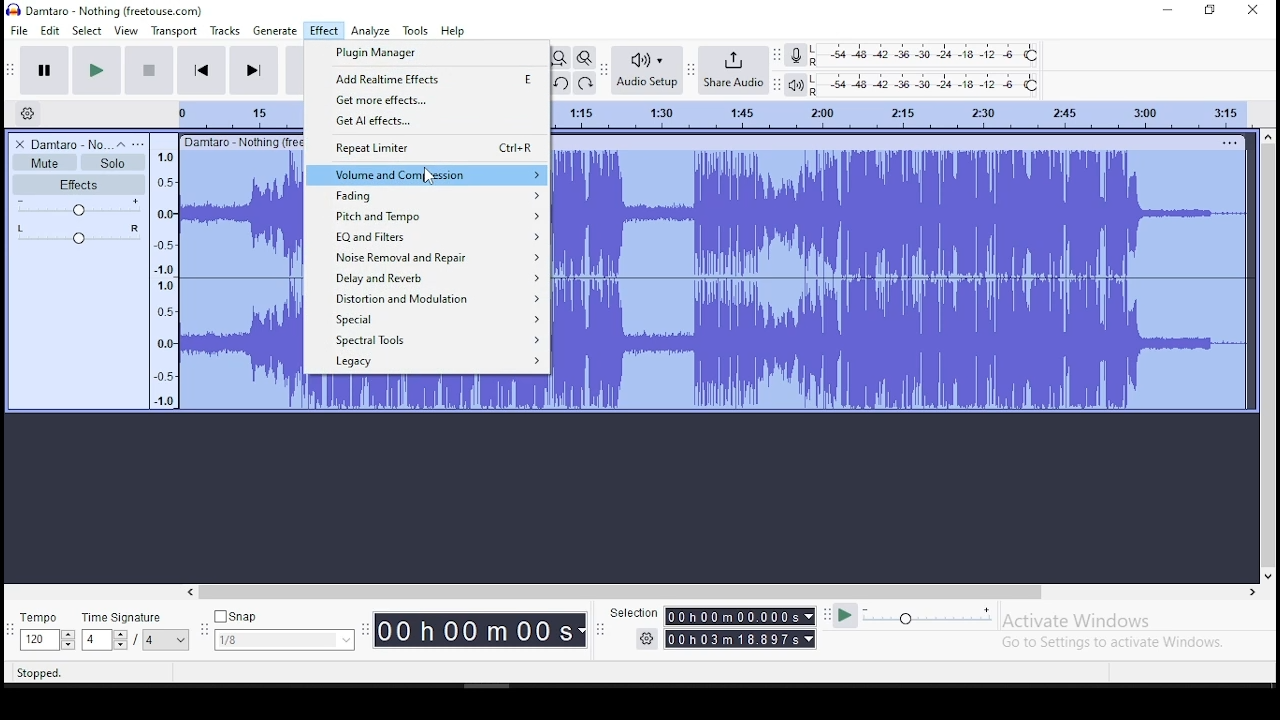 Image resolution: width=1280 pixels, height=720 pixels. What do you see at coordinates (794, 85) in the screenshot?
I see `playback meter` at bounding box center [794, 85].